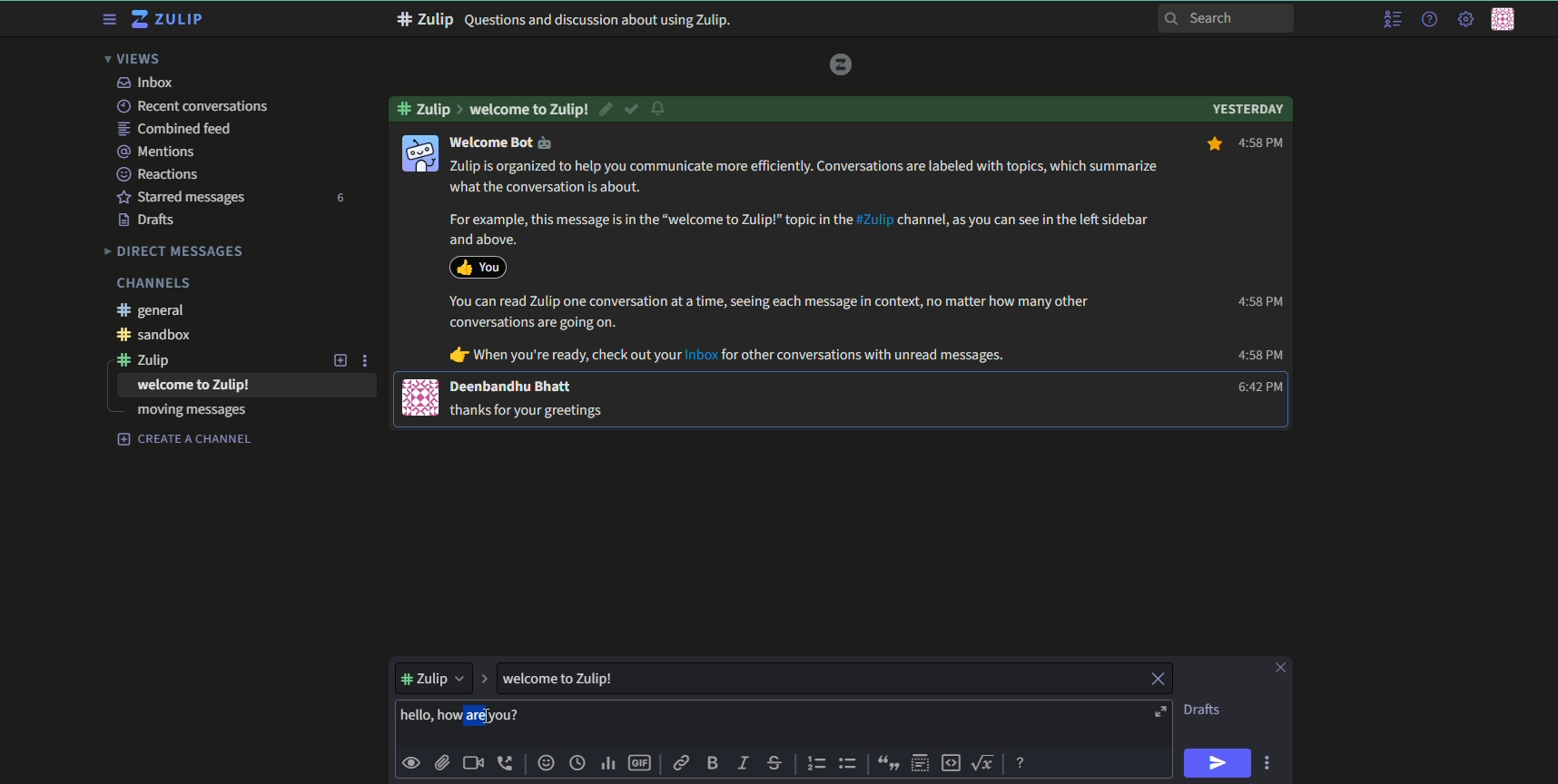 This screenshot has height=784, width=1558. I want to click on help menu, so click(1427, 20).